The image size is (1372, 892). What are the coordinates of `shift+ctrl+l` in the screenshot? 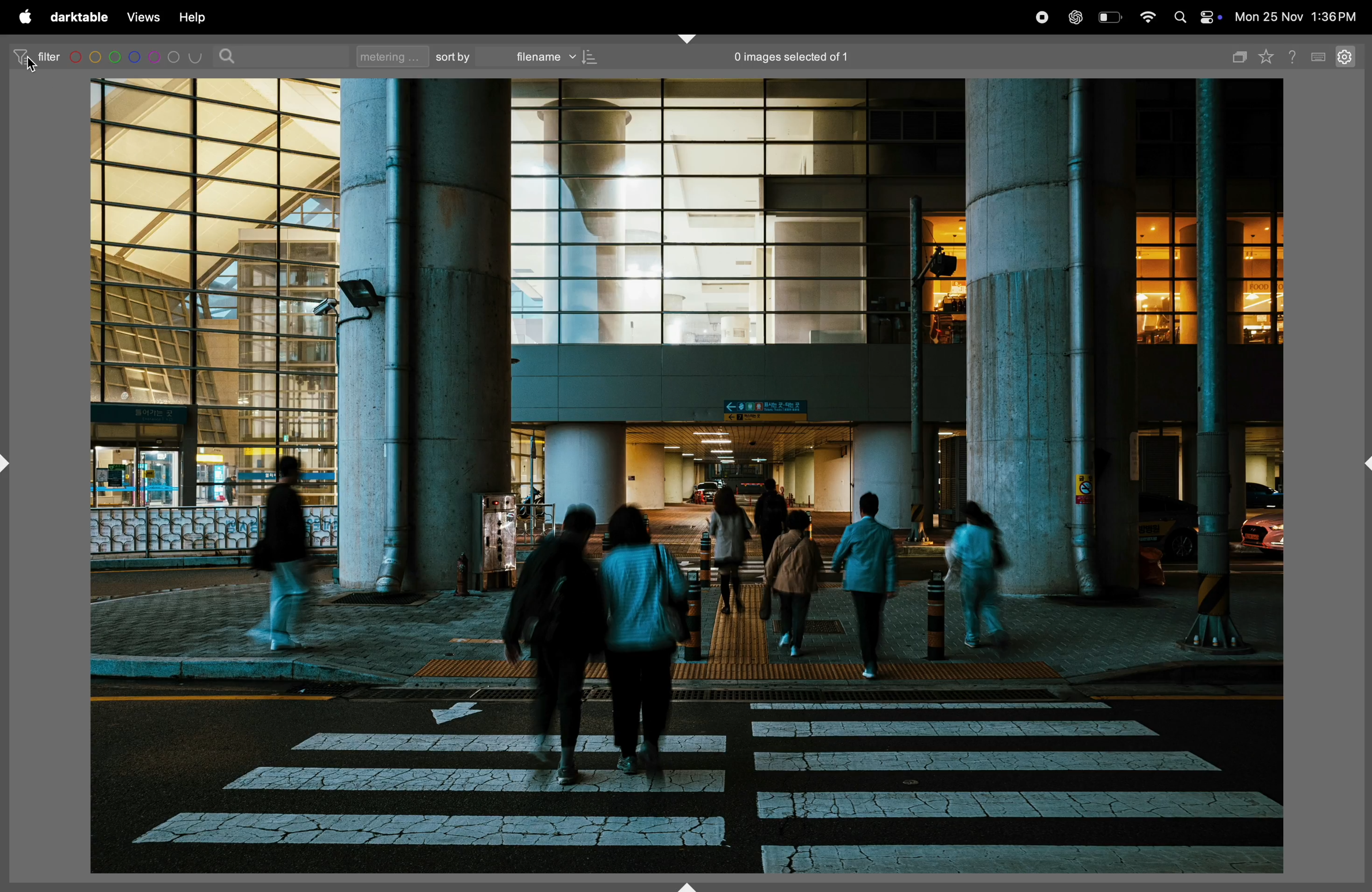 It's located at (9, 459).